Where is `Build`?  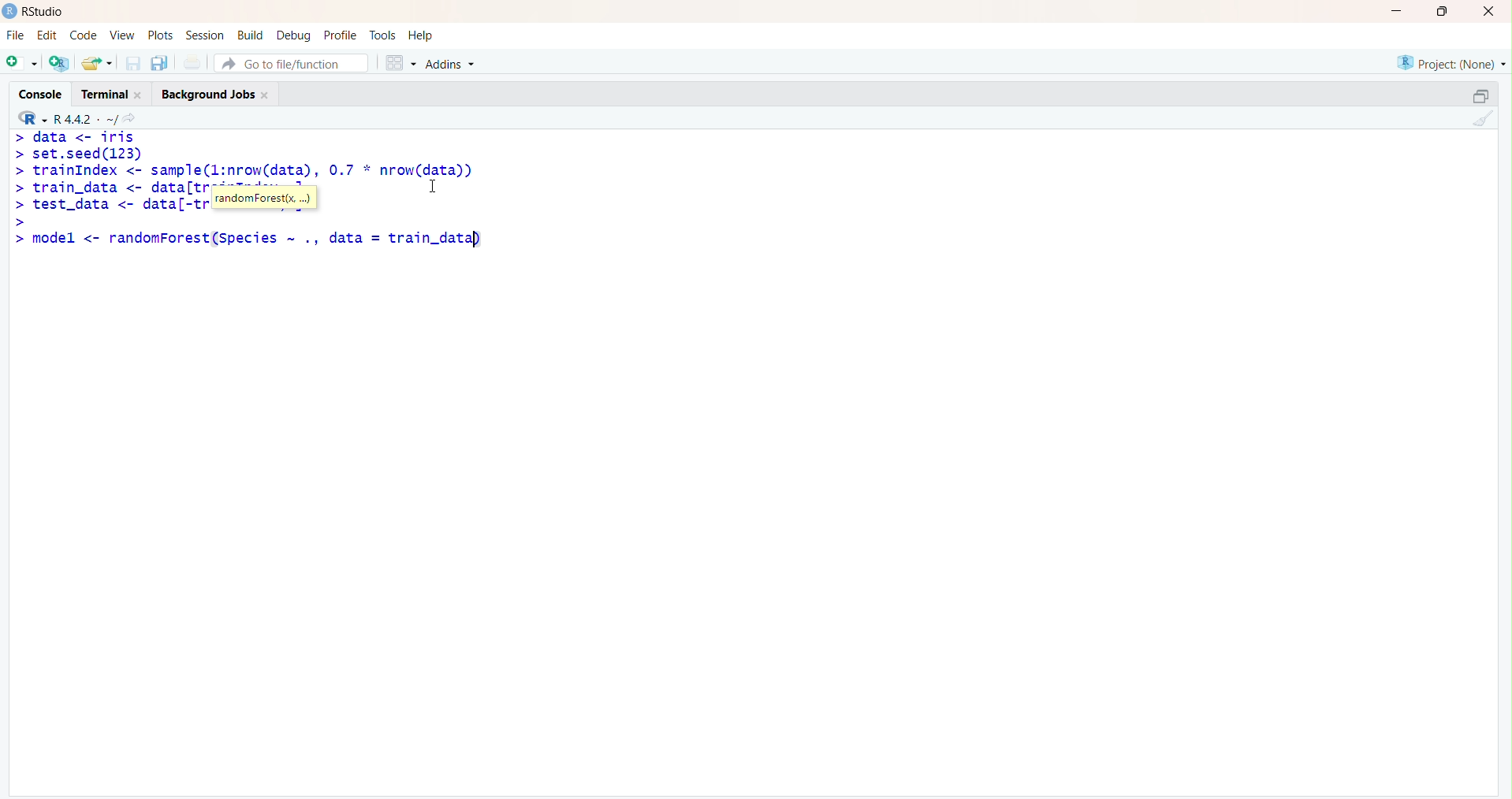 Build is located at coordinates (252, 34).